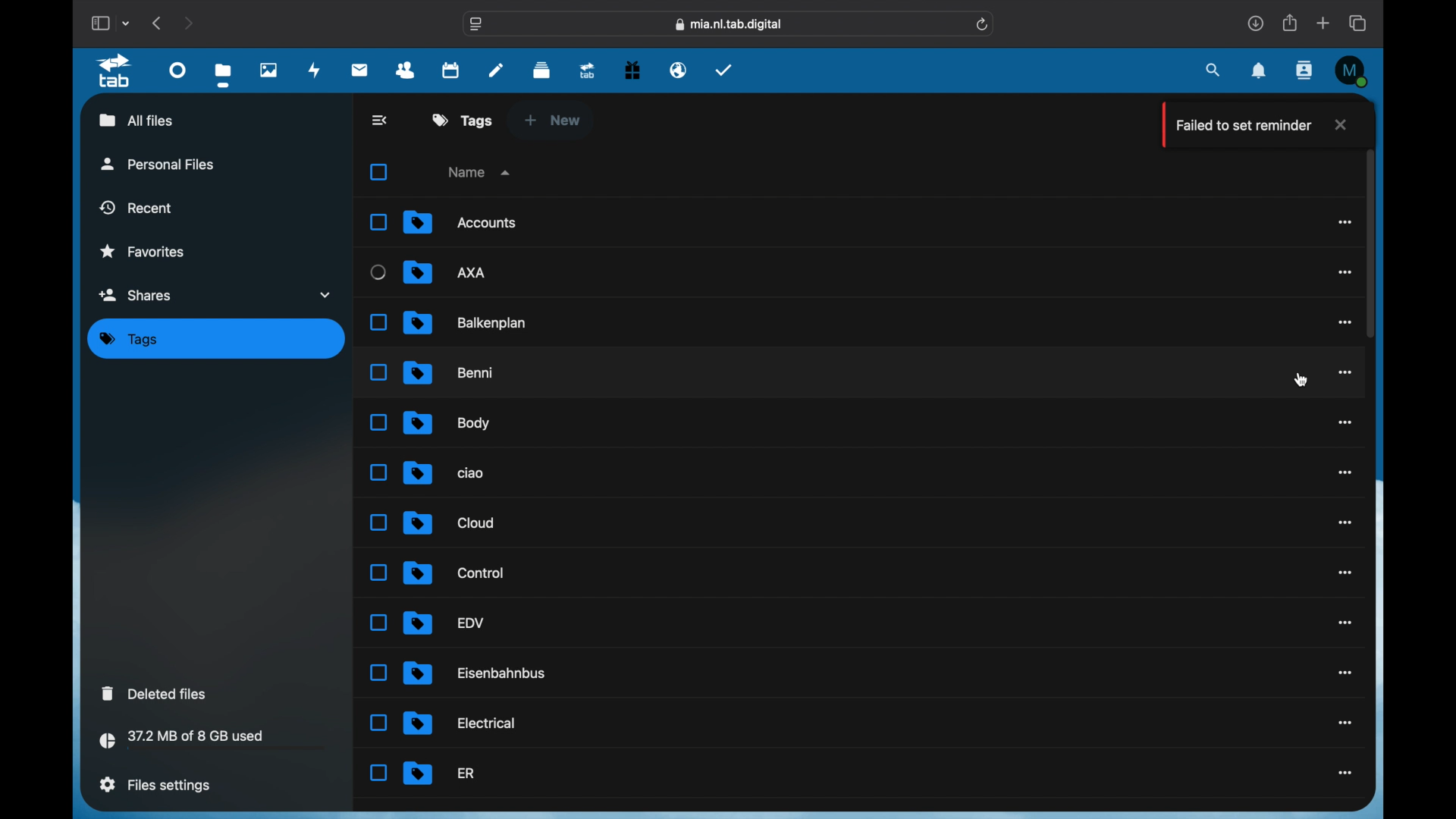 The width and height of the screenshot is (1456, 819). Describe the element at coordinates (1360, 23) in the screenshot. I see `show tab overview` at that location.